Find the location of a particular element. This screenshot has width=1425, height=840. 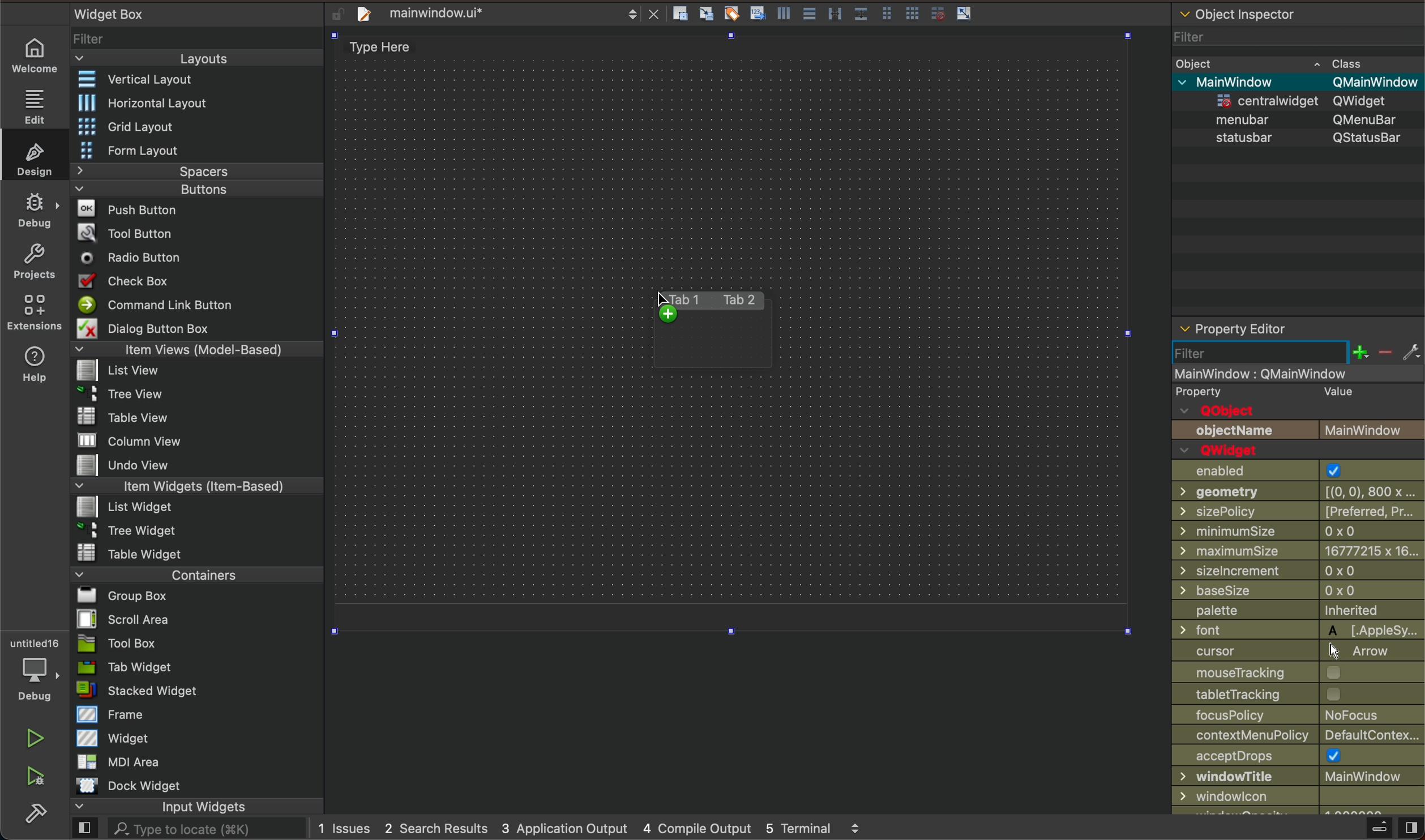

 Command Link Button is located at coordinates (155, 304).